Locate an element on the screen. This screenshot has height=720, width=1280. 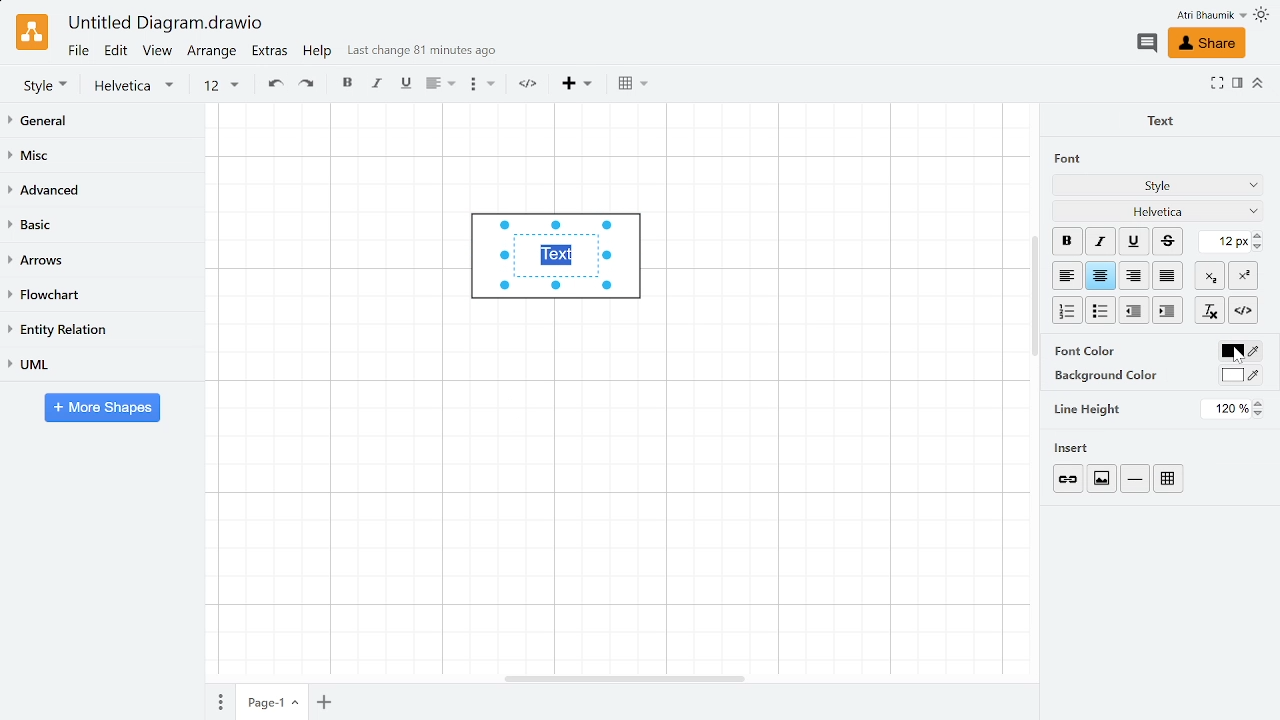
Share is located at coordinates (1205, 44).